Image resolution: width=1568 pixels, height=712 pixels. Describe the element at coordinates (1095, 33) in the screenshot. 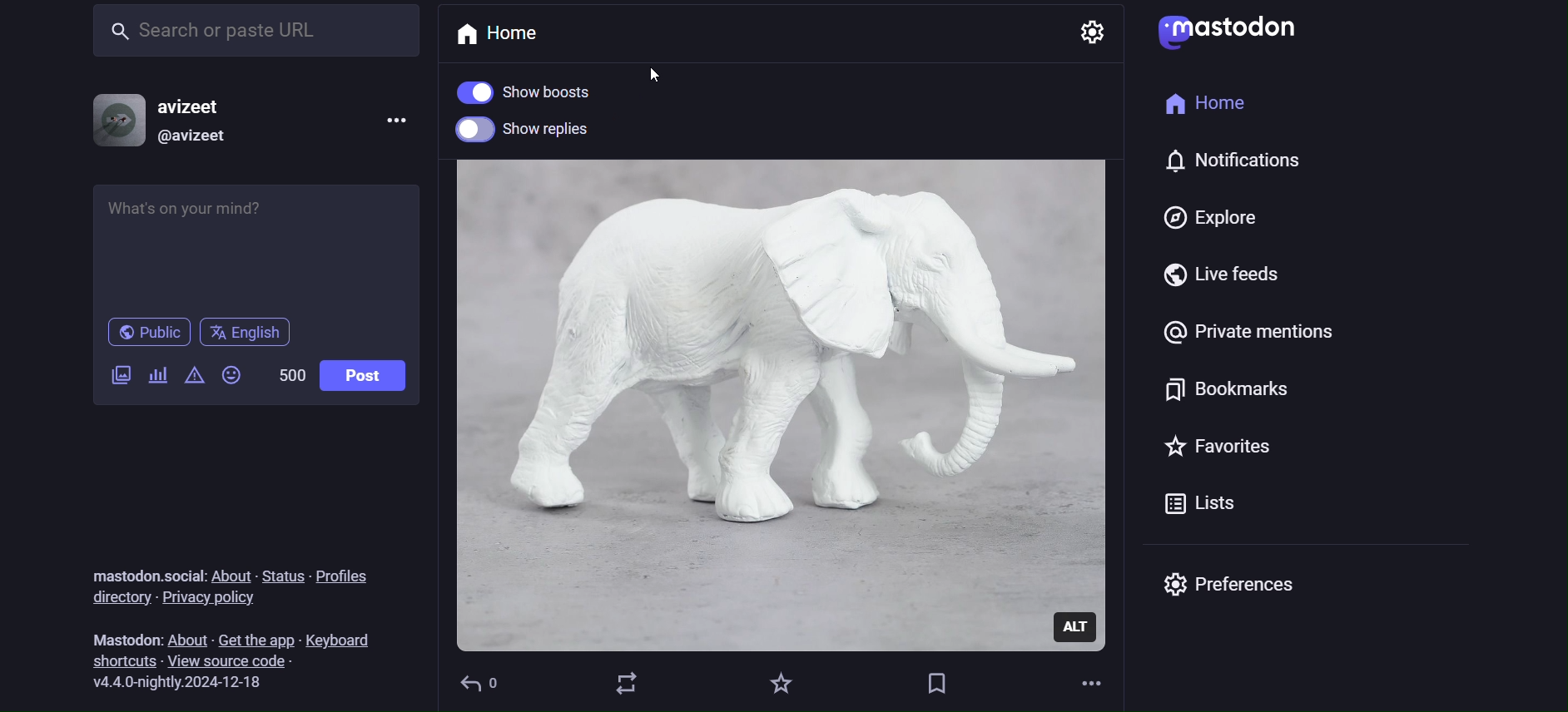

I see `show setting` at that location.